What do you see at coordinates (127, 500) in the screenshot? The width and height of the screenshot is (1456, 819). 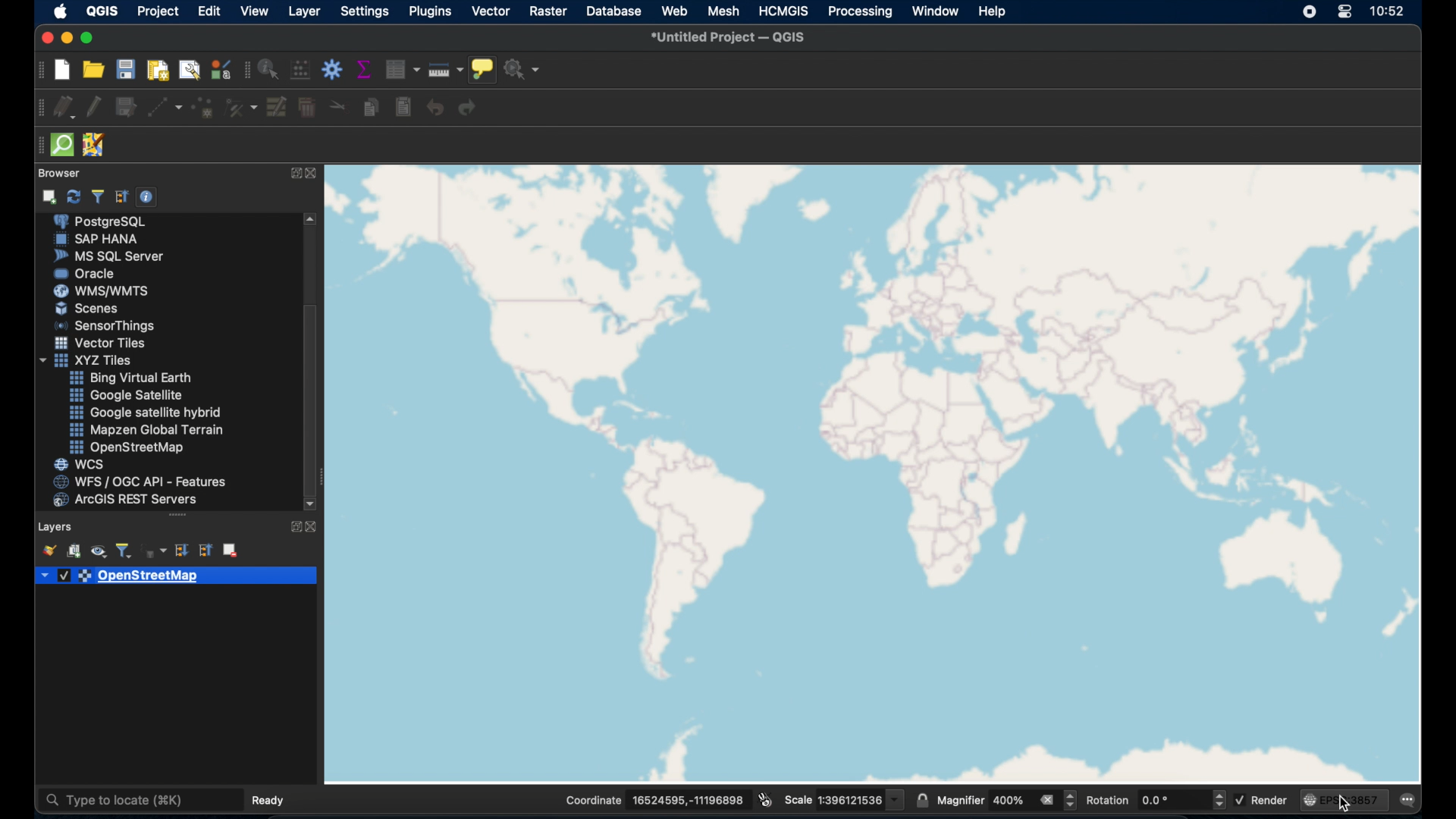 I see `arcGIS server` at bounding box center [127, 500].